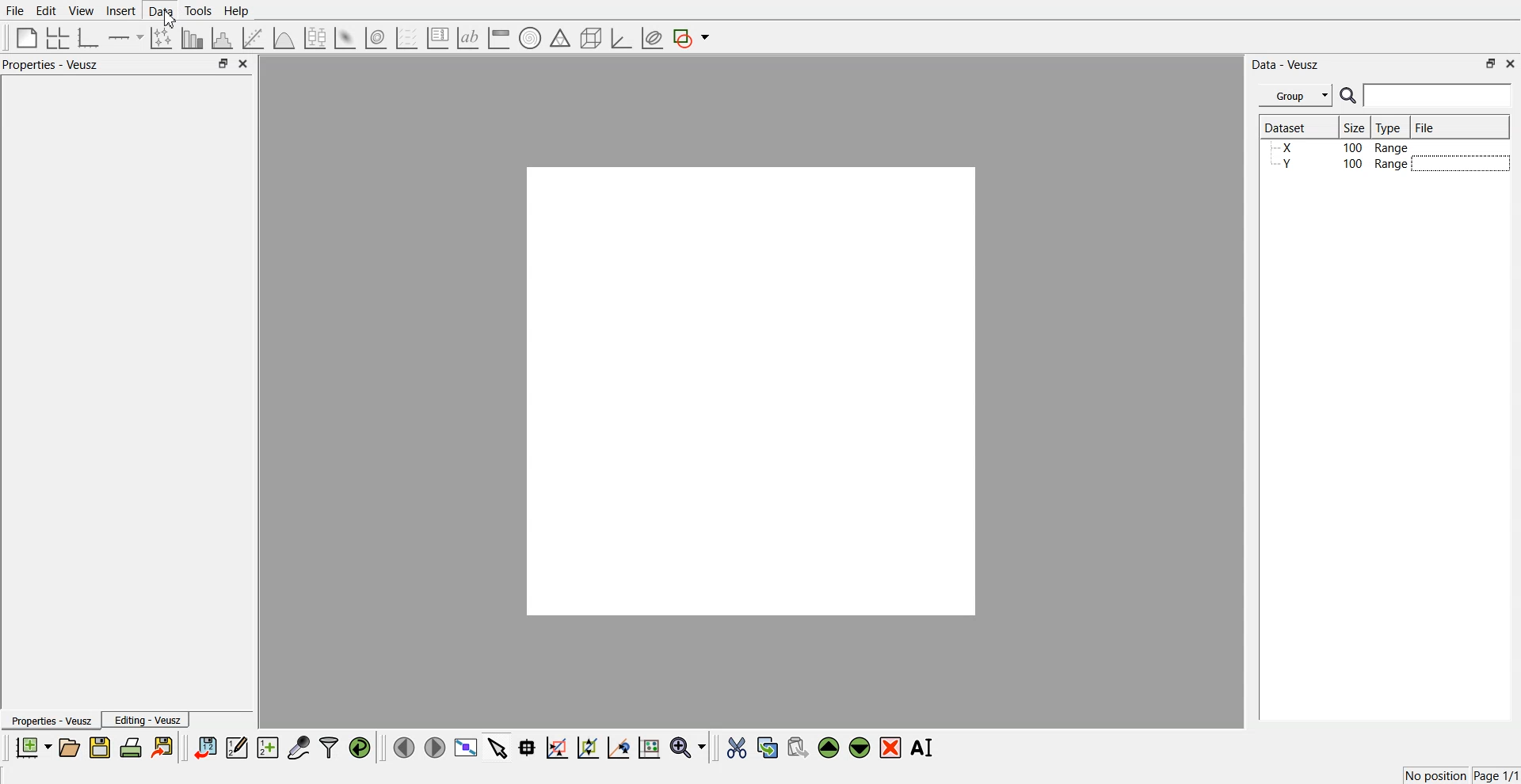 This screenshot has height=784, width=1521. Describe the element at coordinates (100, 747) in the screenshot. I see `Save the document` at that location.